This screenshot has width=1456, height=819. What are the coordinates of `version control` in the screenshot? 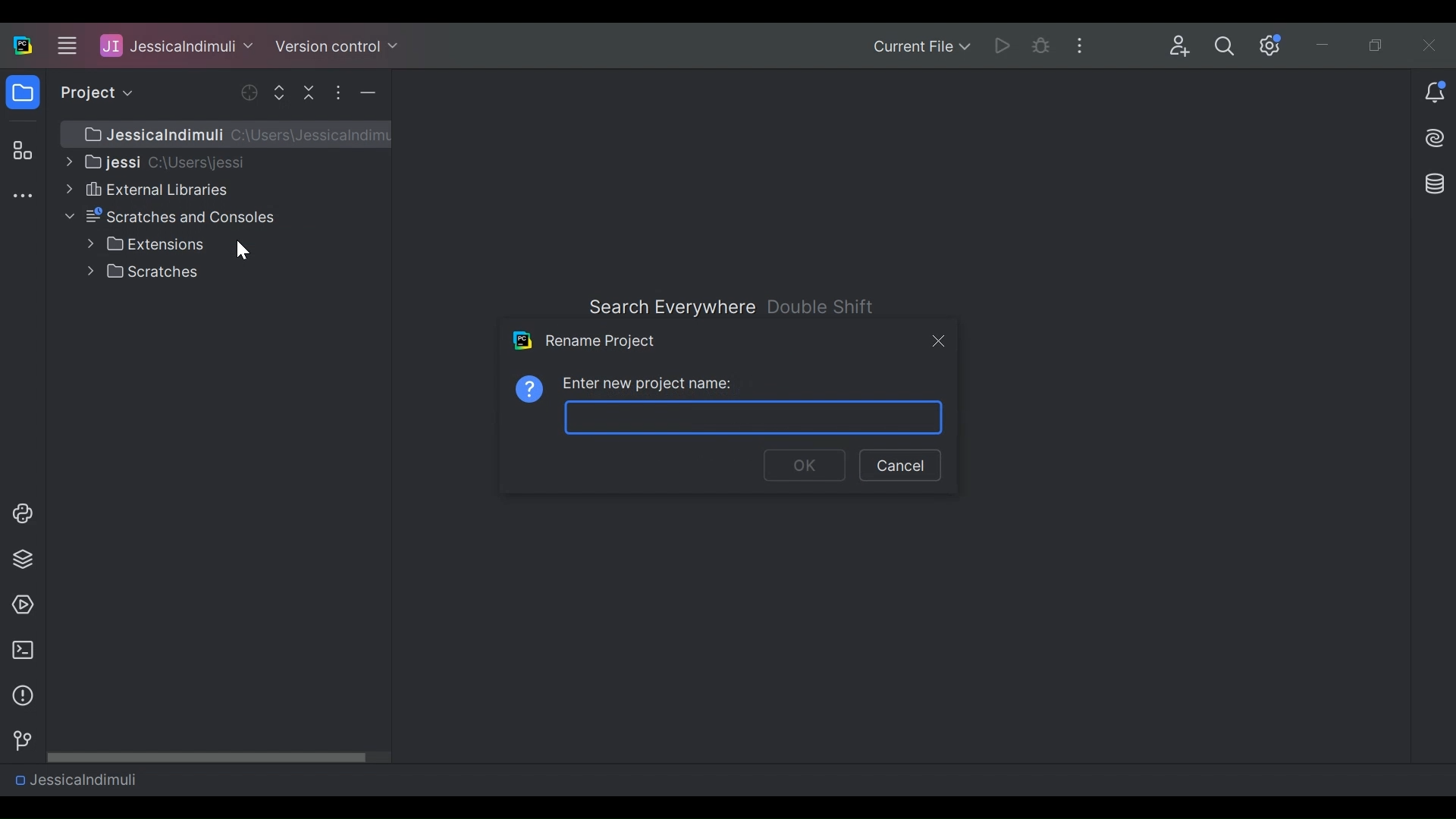 It's located at (18, 741).